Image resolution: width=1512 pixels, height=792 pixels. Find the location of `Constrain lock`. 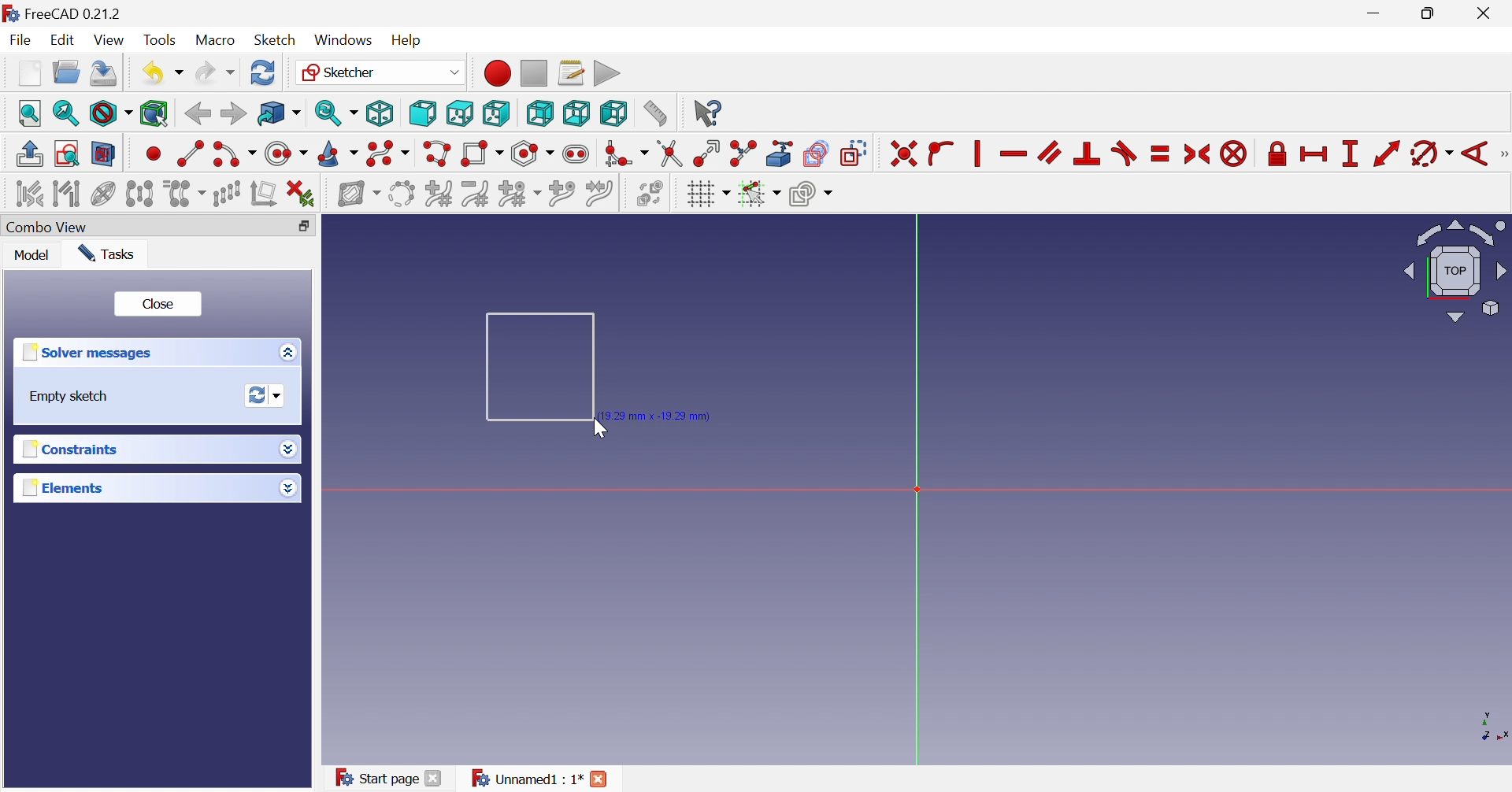

Constrain lock is located at coordinates (1277, 152).